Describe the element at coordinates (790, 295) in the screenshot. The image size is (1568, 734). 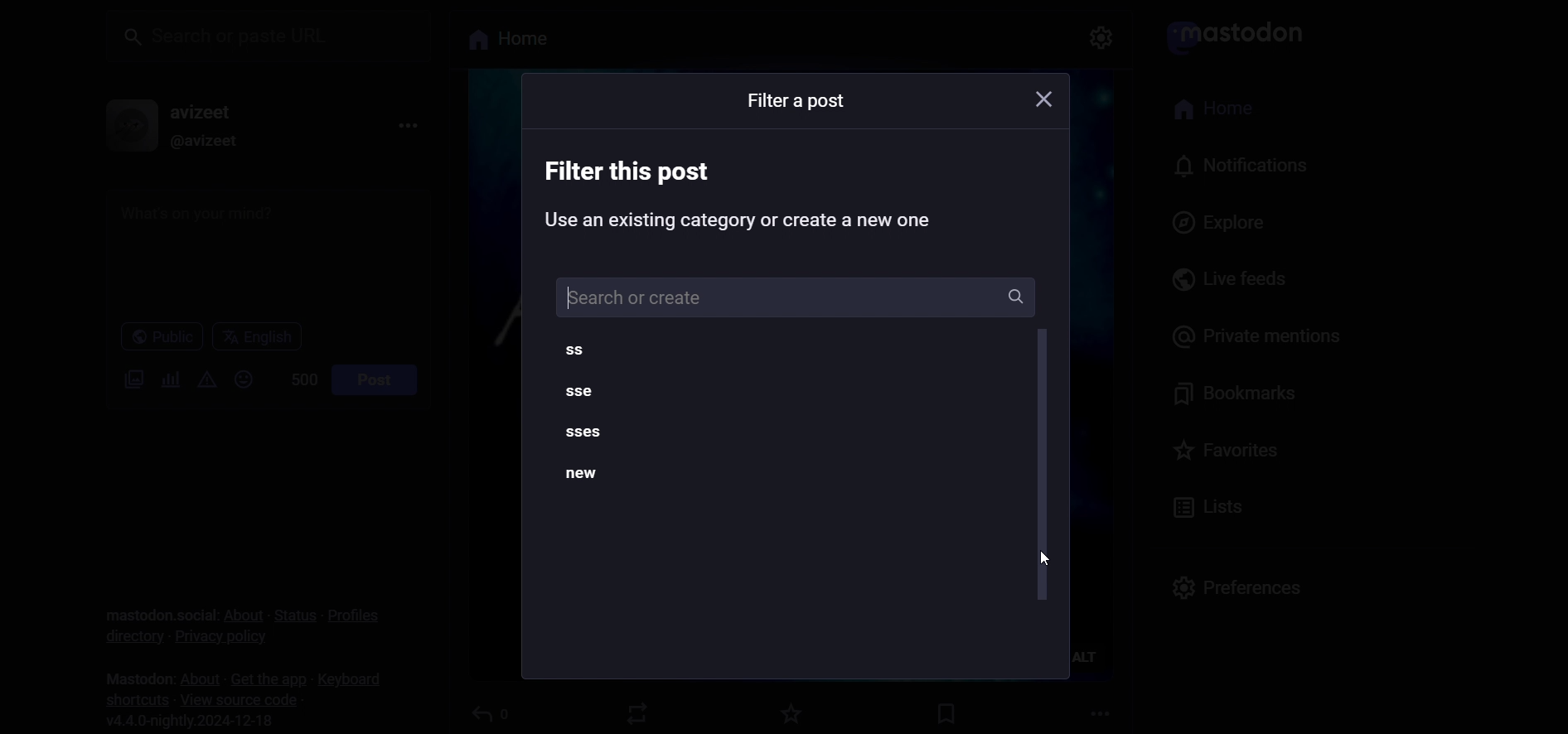
I see `earch` at that location.